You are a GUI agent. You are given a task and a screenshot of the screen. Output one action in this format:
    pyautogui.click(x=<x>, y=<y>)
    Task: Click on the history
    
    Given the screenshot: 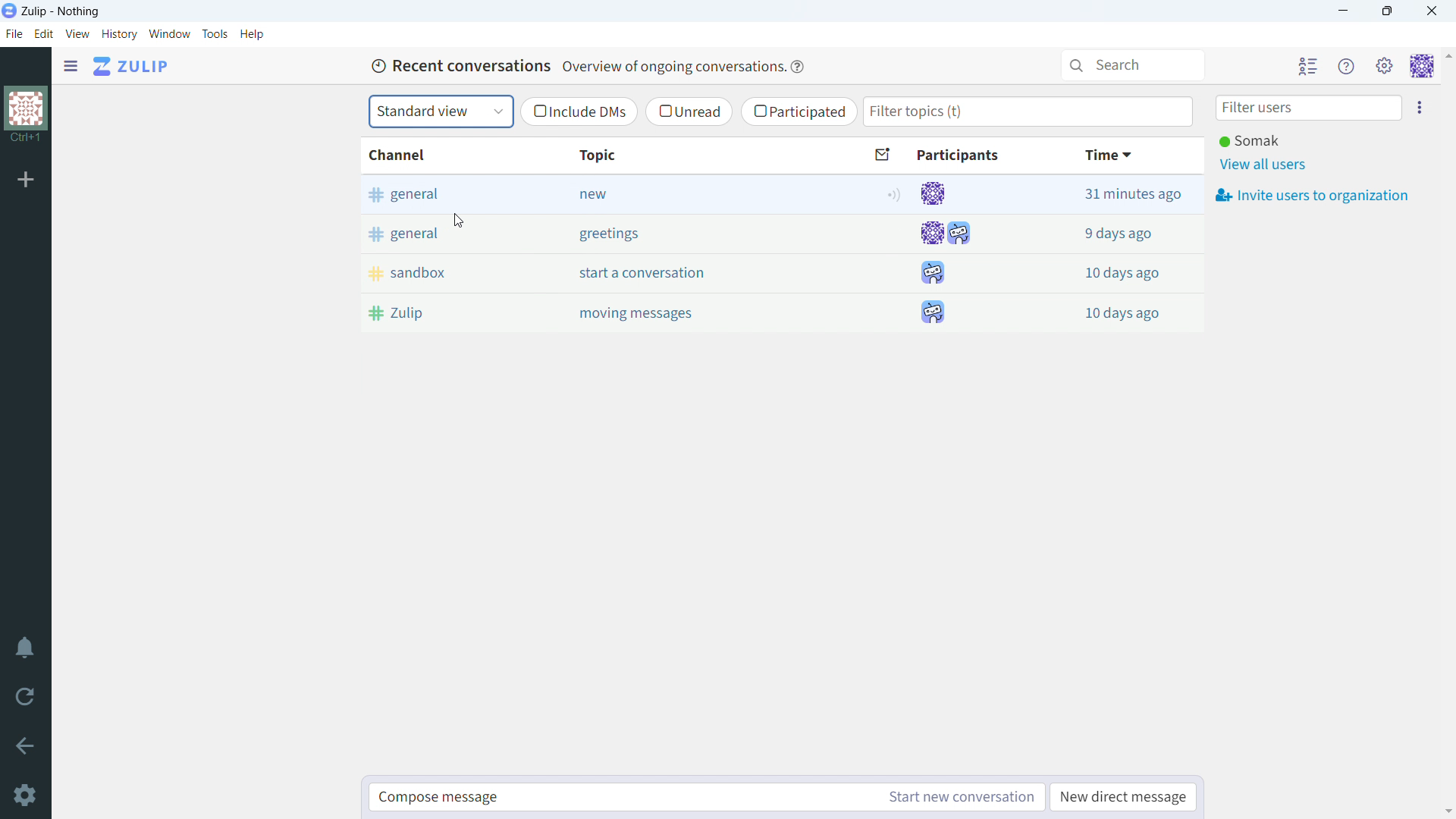 What is the action you would take?
    pyautogui.click(x=119, y=34)
    